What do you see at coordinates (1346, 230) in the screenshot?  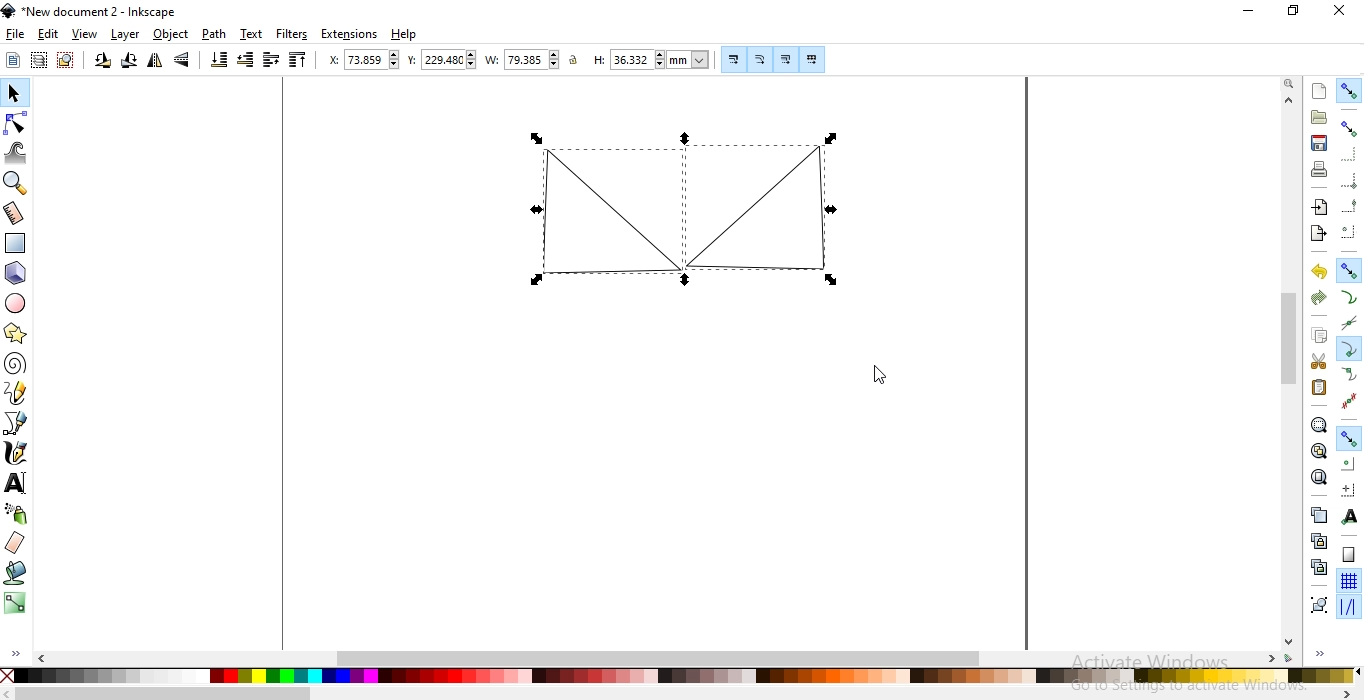 I see `snapping centers of bounding boxes` at bounding box center [1346, 230].